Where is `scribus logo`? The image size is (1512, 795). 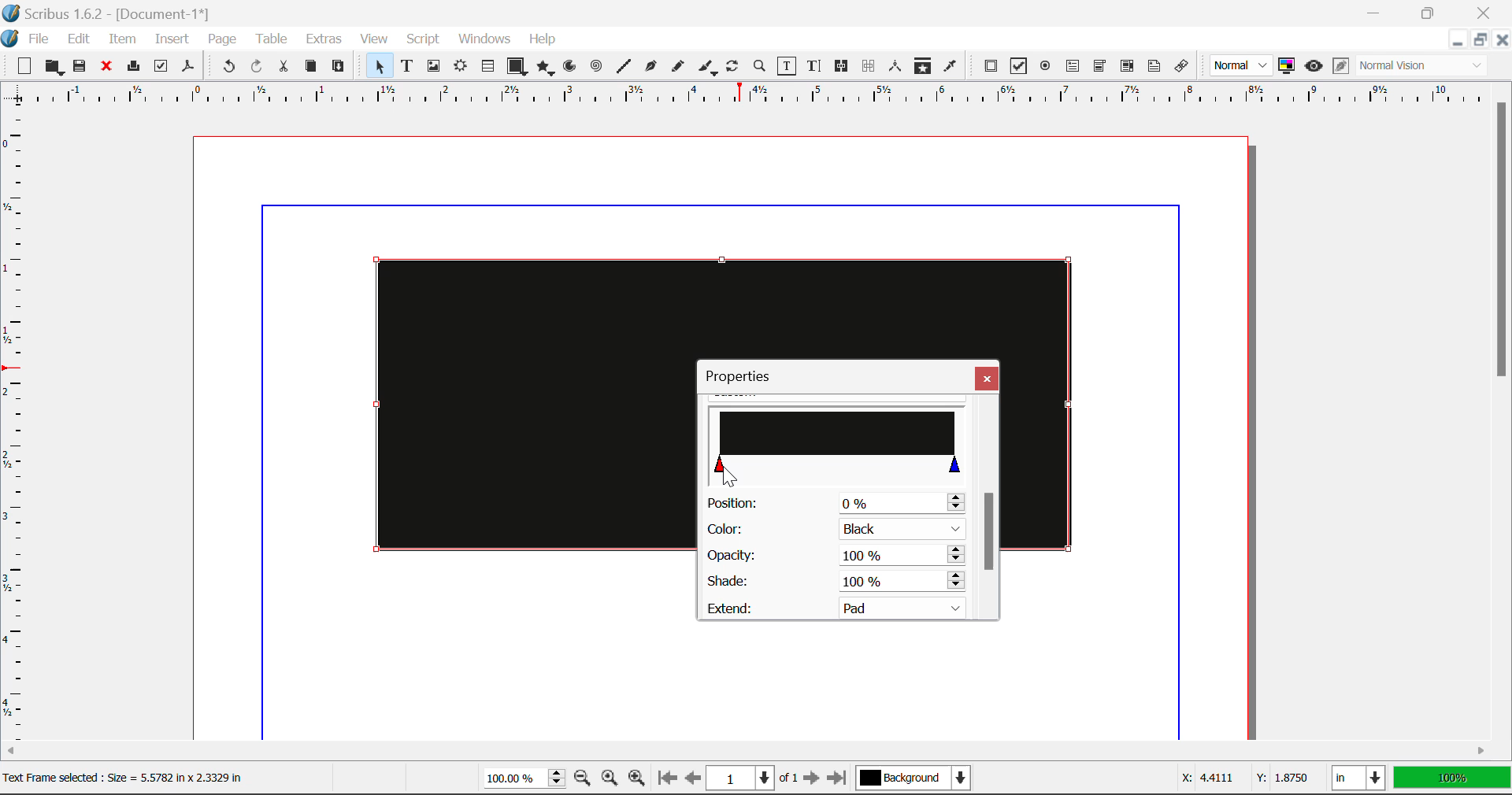 scribus logo is located at coordinates (13, 38).